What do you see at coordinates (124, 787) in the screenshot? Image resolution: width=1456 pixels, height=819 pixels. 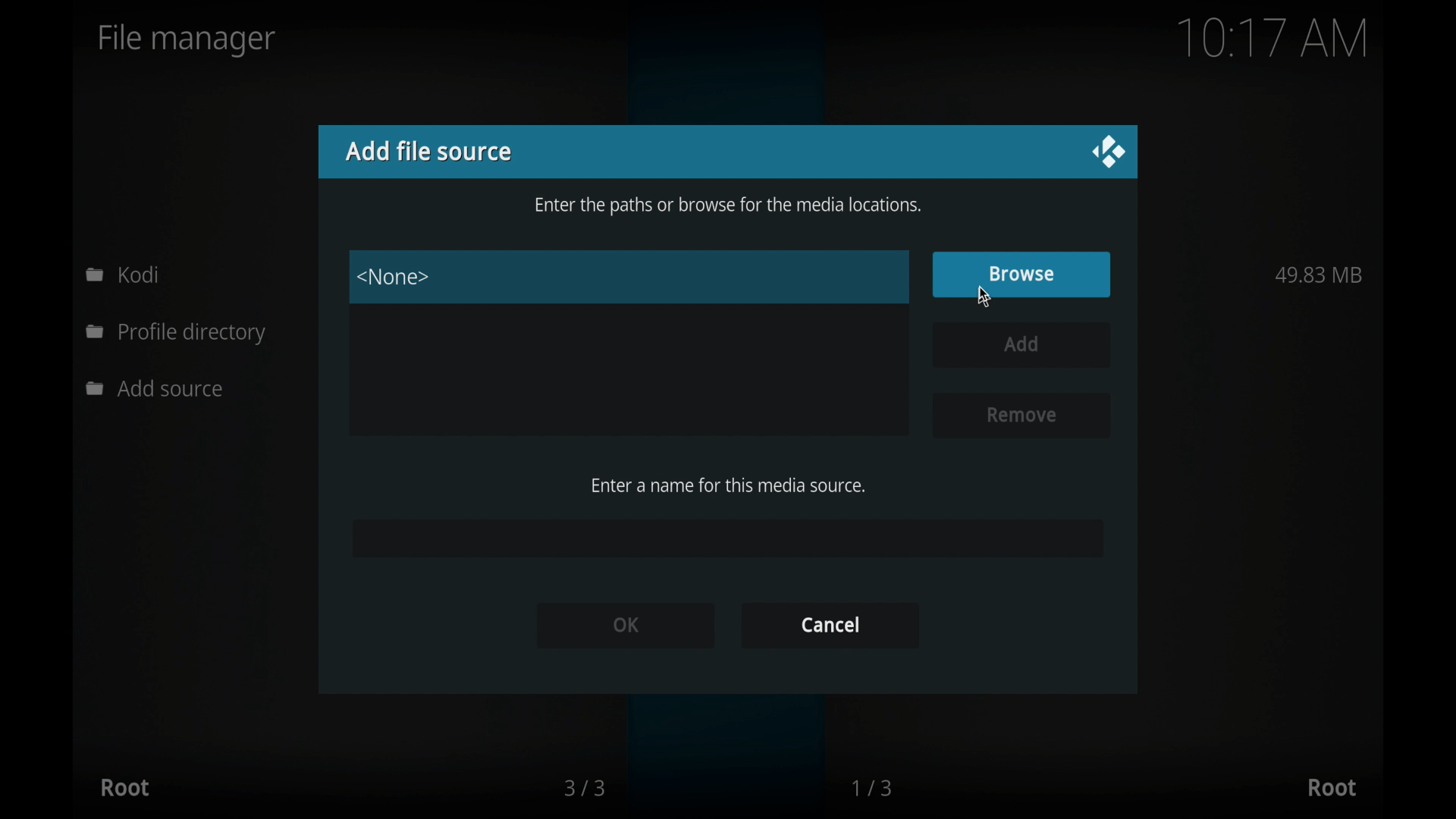 I see `root` at bounding box center [124, 787].